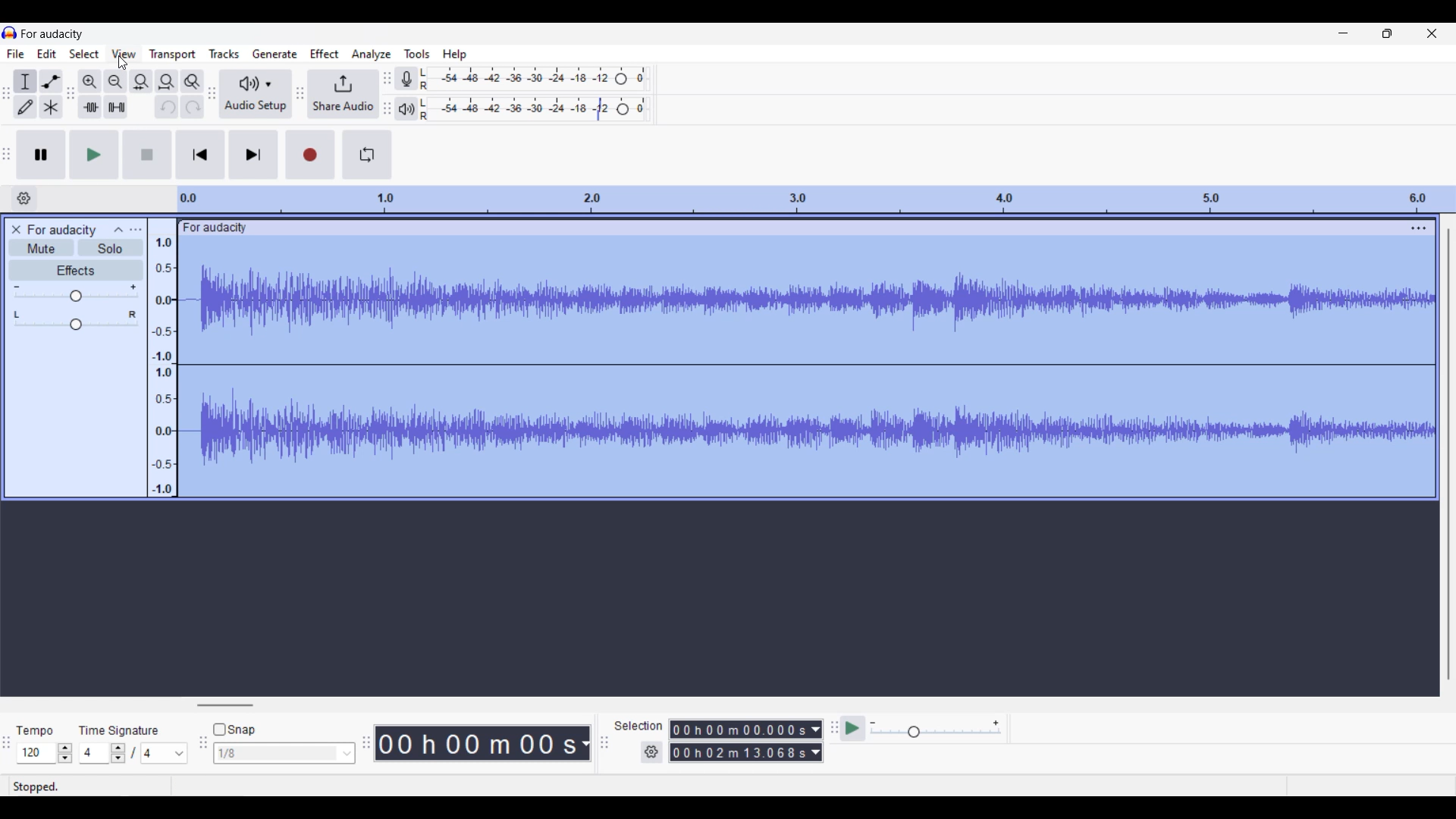 The height and width of the screenshot is (819, 1456). Describe the element at coordinates (477, 743) in the screenshot. I see `Current duration of track` at that location.